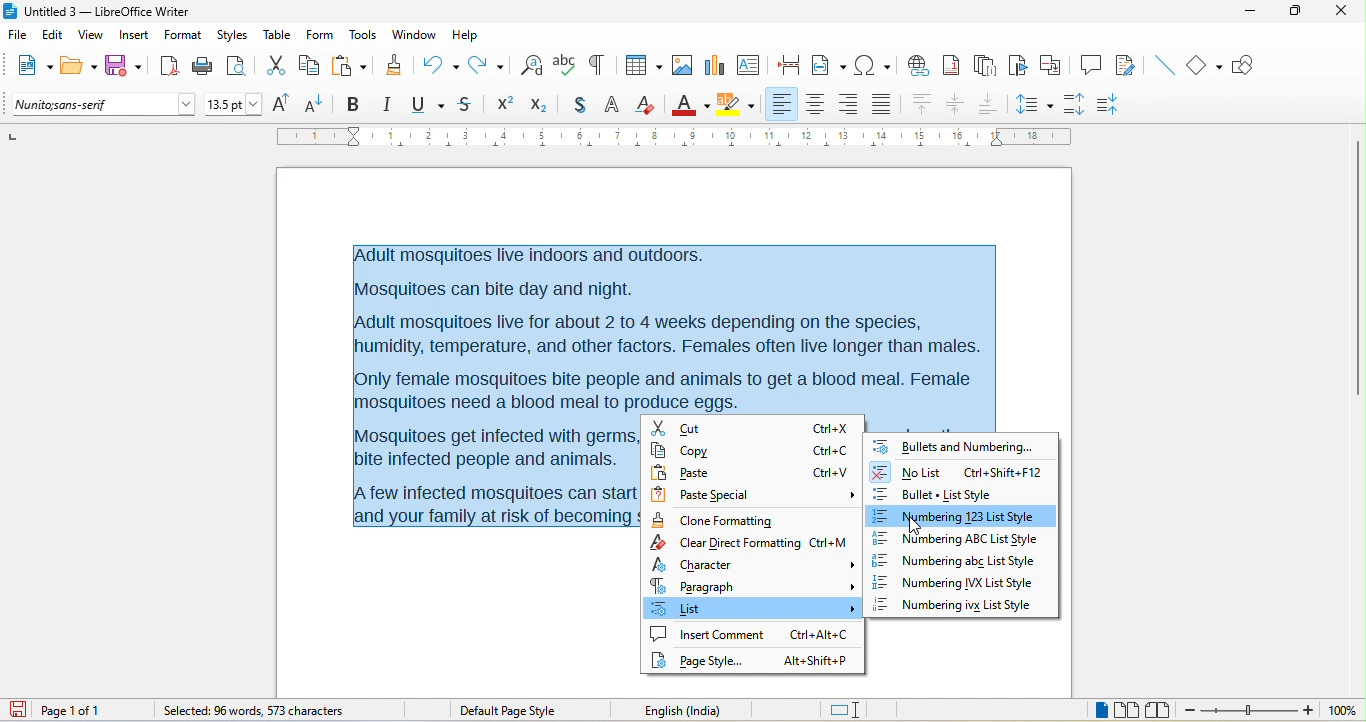  What do you see at coordinates (988, 104) in the screenshot?
I see `align bottom` at bounding box center [988, 104].